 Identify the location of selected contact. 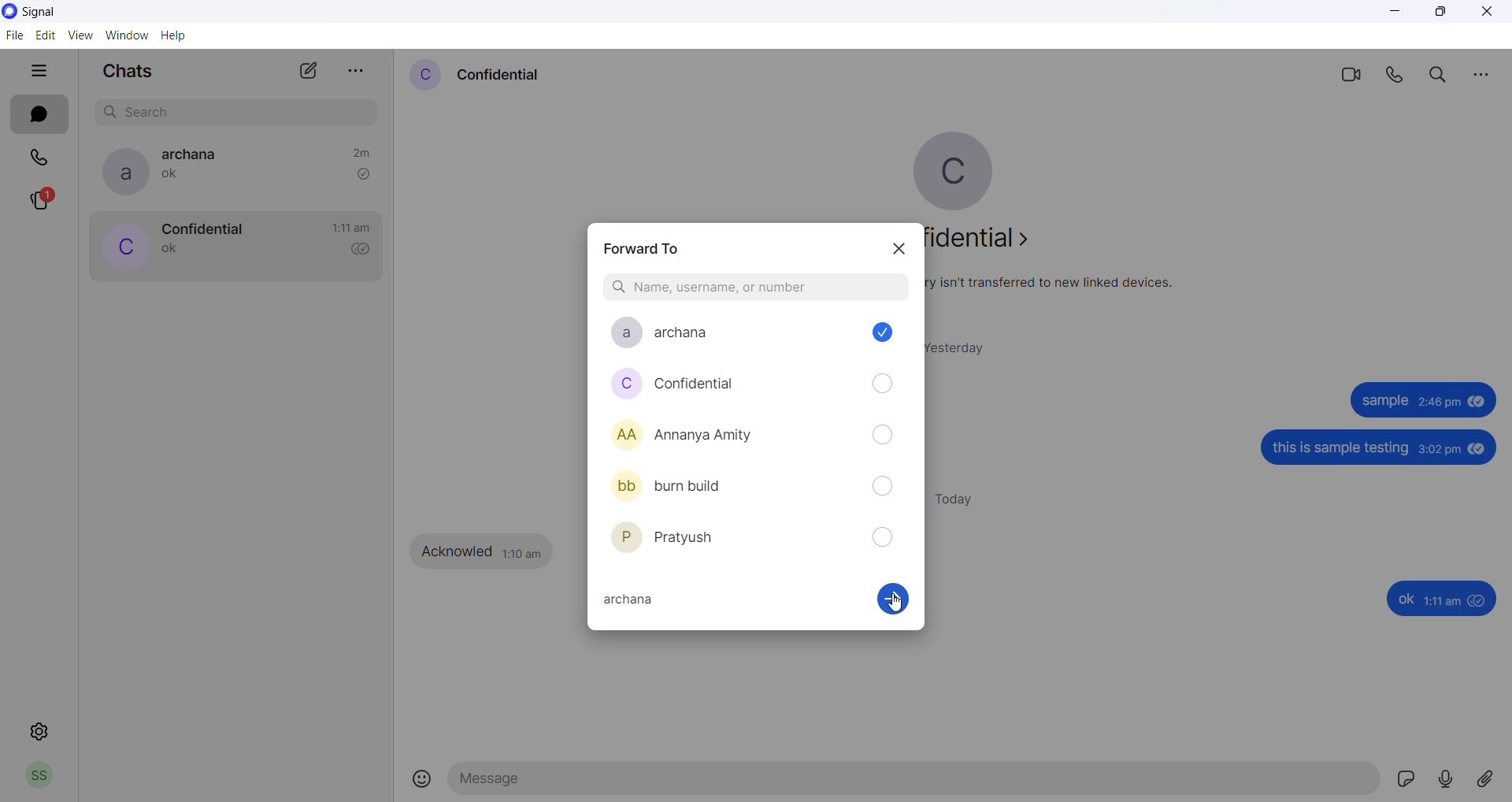
(632, 601).